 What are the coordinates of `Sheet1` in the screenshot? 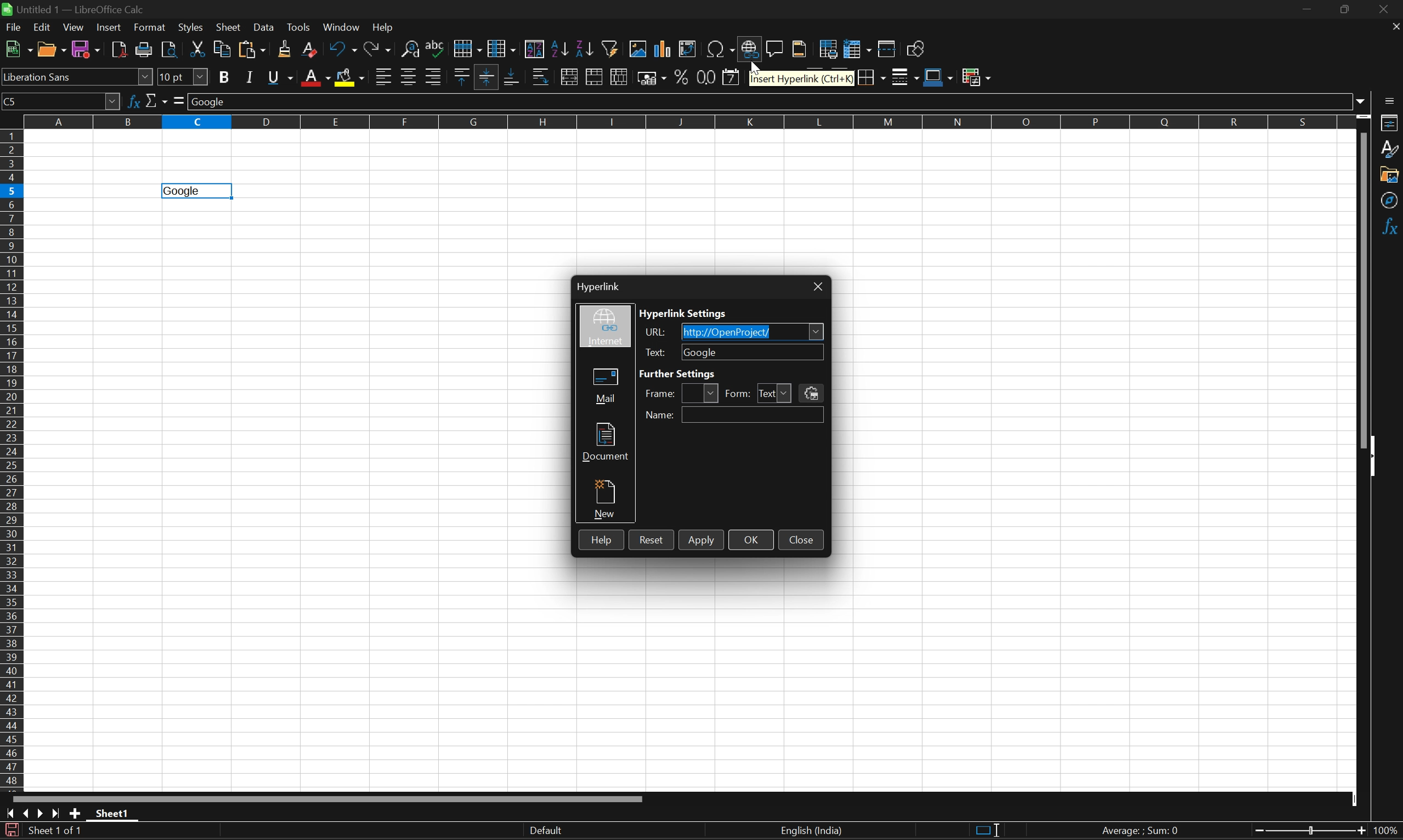 It's located at (113, 813).